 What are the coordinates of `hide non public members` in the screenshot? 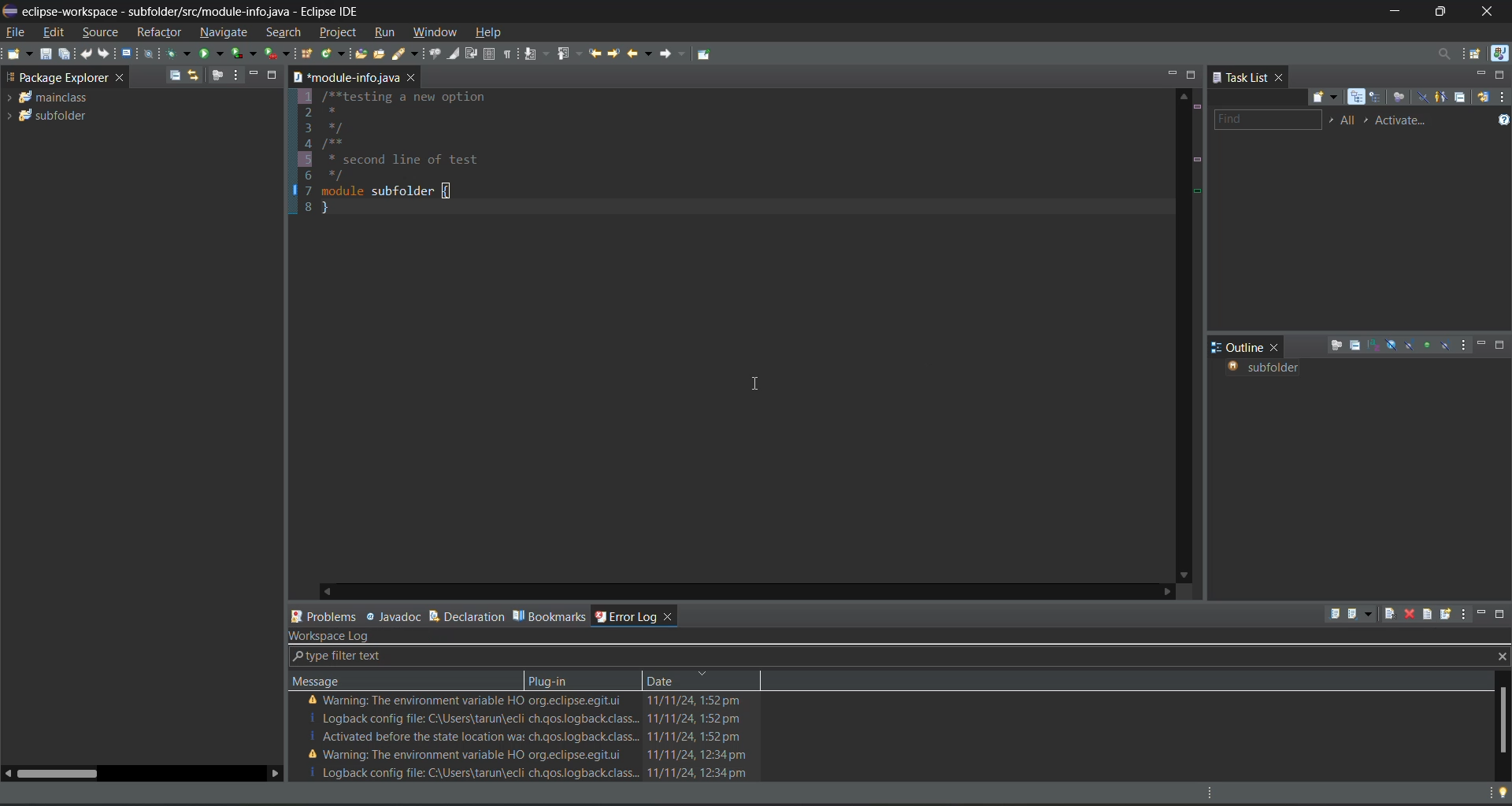 It's located at (1427, 344).